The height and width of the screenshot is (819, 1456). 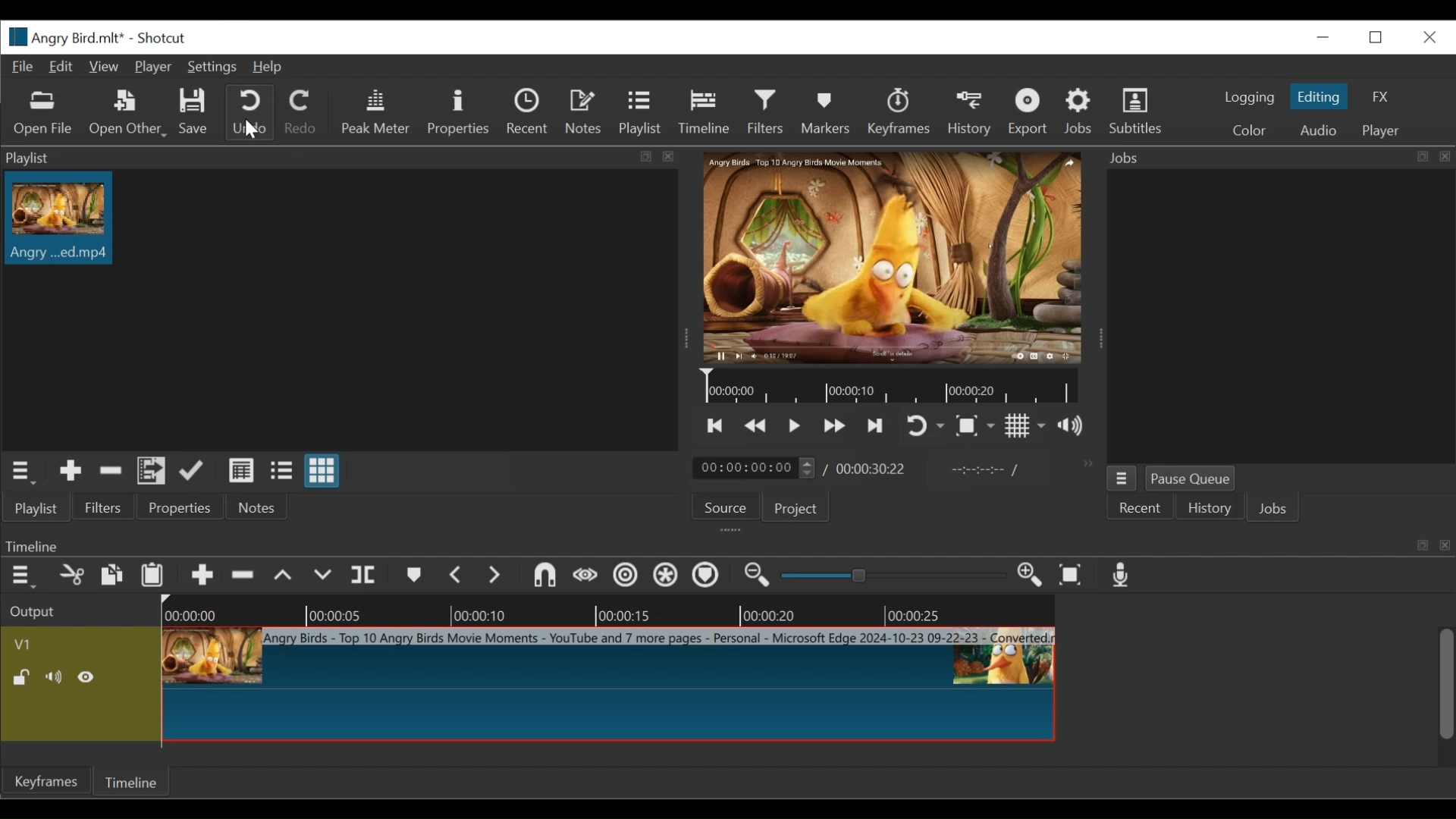 What do you see at coordinates (176, 506) in the screenshot?
I see `Properties` at bounding box center [176, 506].